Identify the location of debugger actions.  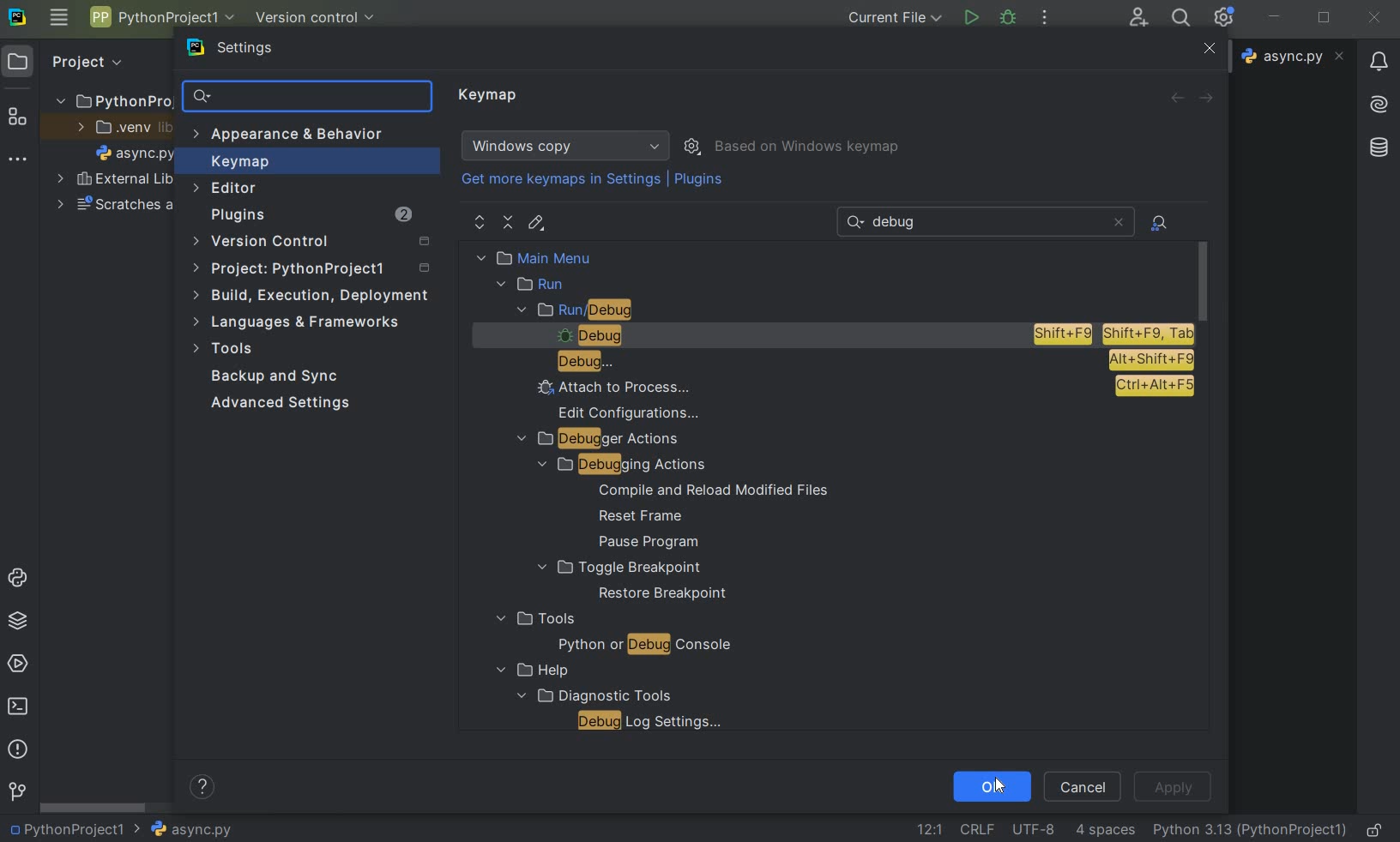
(599, 440).